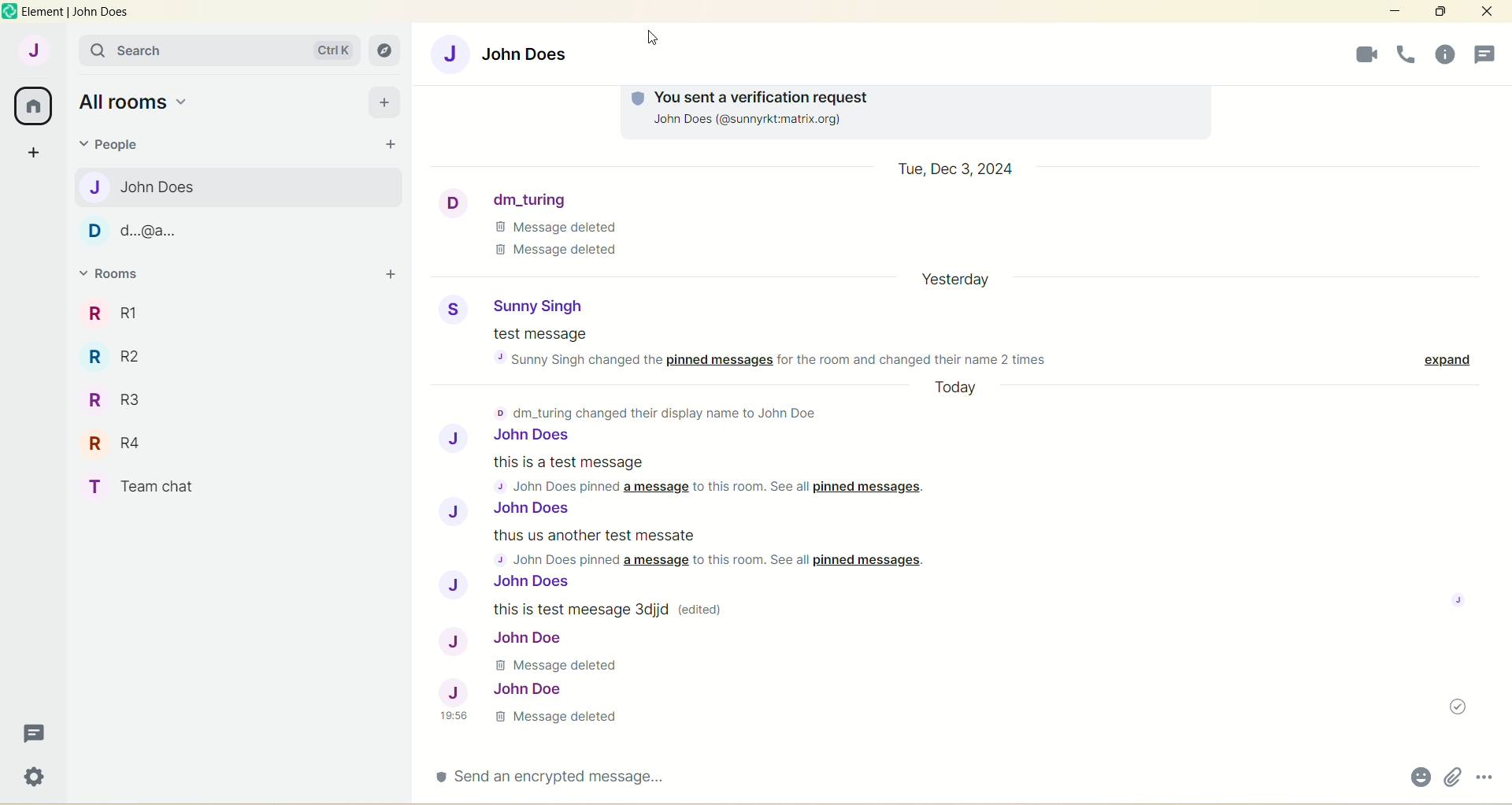  I want to click on maximize, so click(1440, 12).